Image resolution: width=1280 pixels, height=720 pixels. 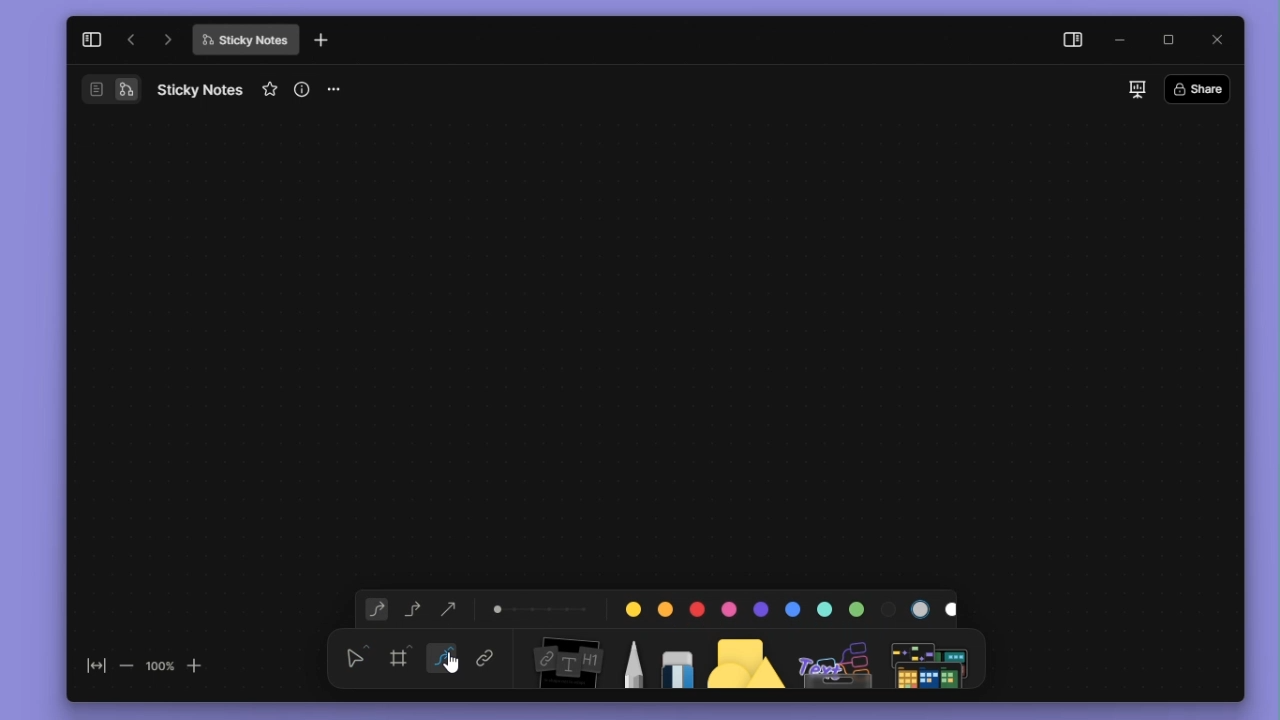 What do you see at coordinates (131, 40) in the screenshot?
I see `go back` at bounding box center [131, 40].